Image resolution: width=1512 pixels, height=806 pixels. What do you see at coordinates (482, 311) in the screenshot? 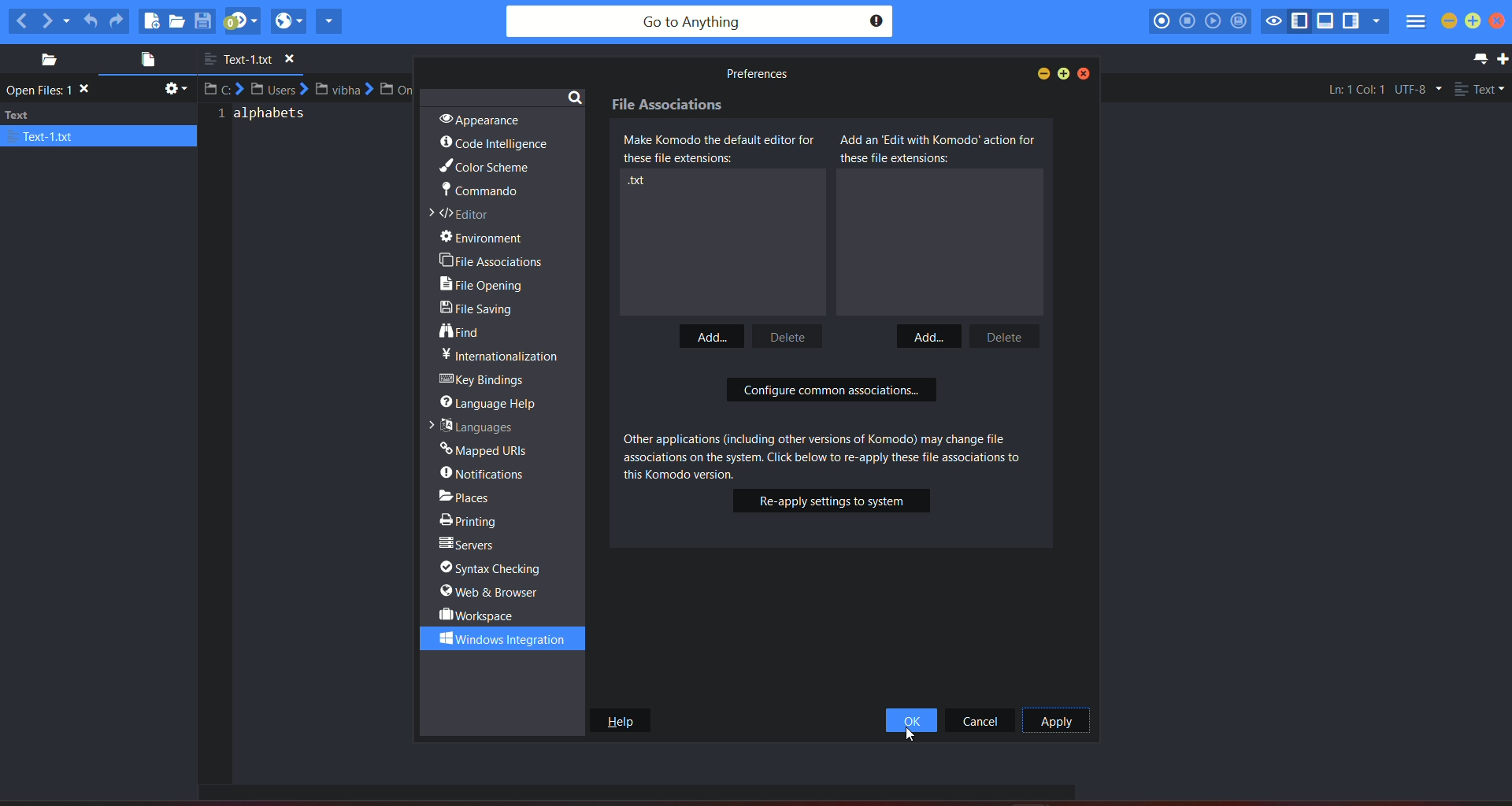
I see `file sharing` at bounding box center [482, 311].